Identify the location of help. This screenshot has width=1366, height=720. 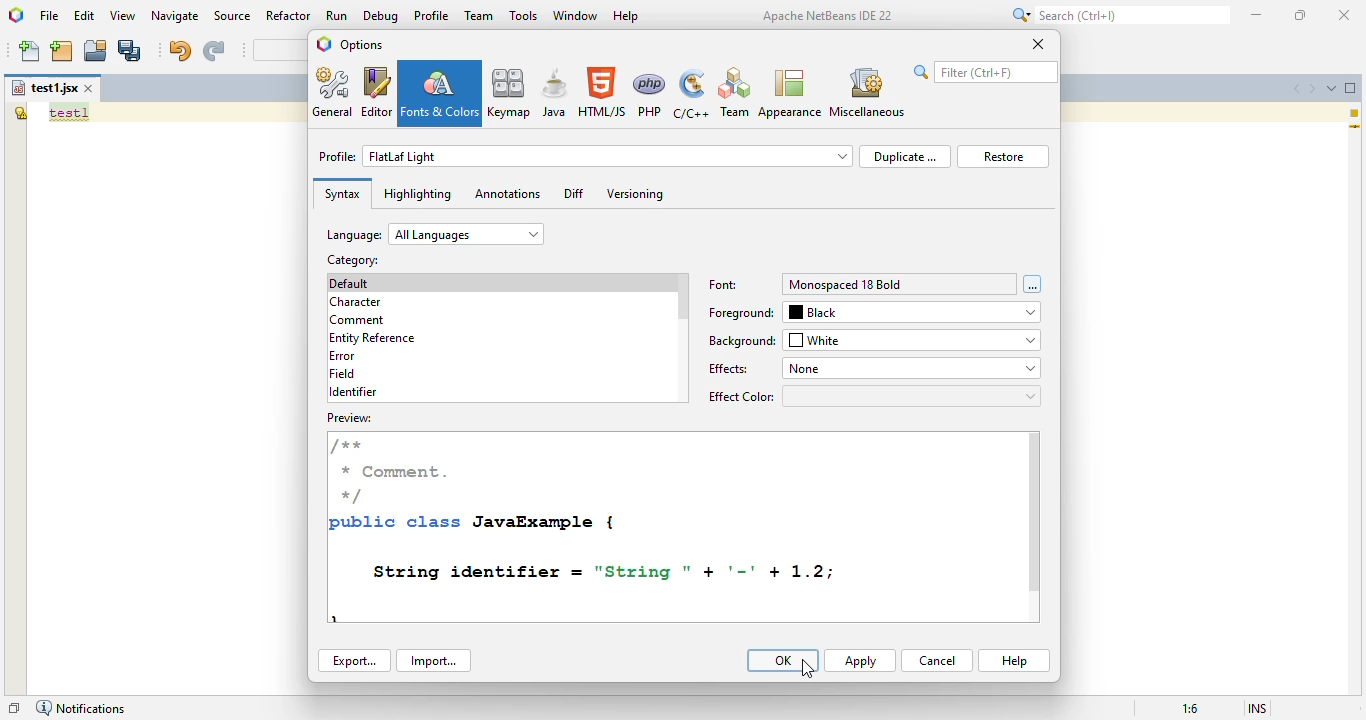
(626, 16).